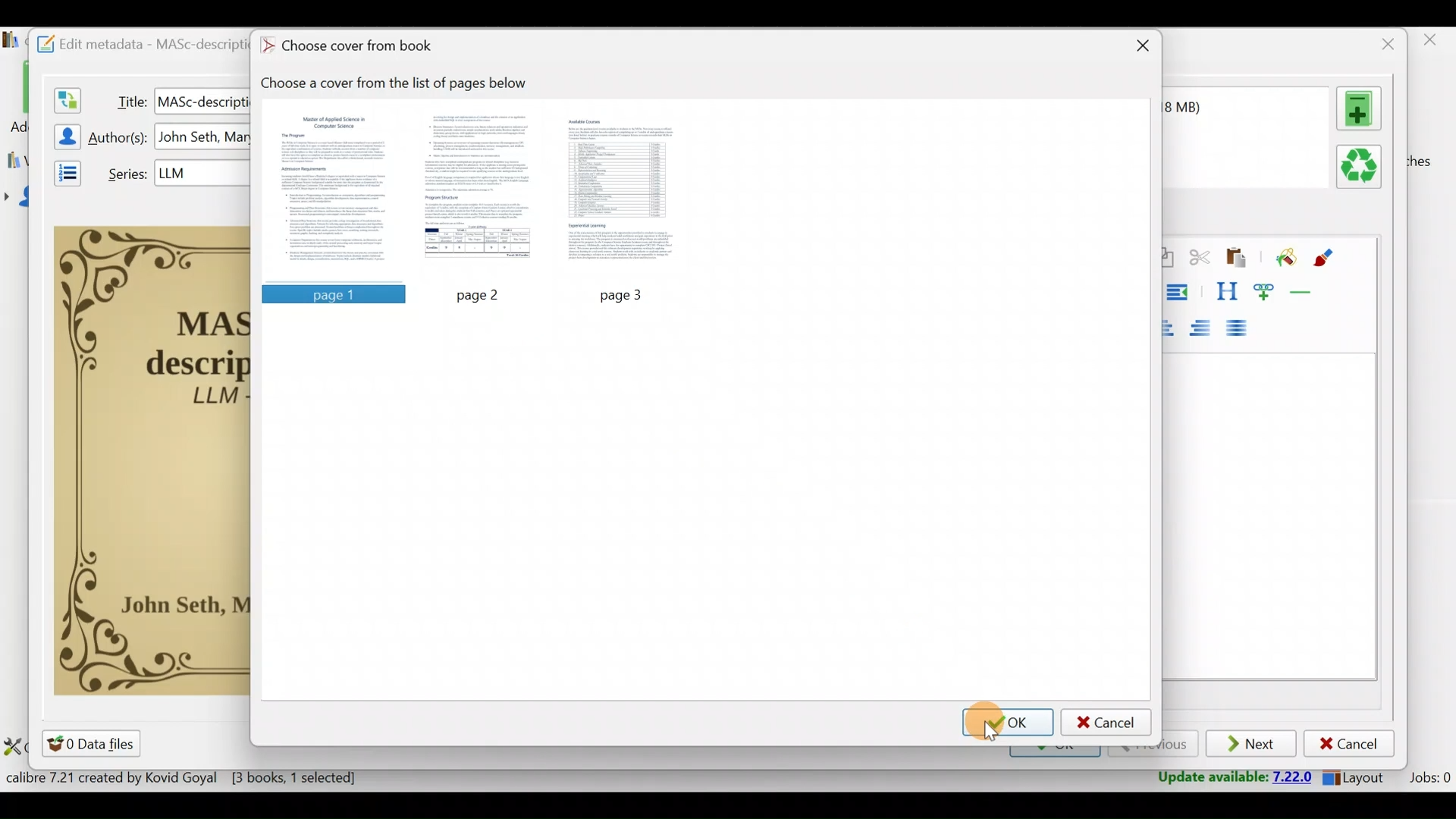  What do you see at coordinates (1253, 745) in the screenshot?
I see `Next` at bounding box center [1253, 745].